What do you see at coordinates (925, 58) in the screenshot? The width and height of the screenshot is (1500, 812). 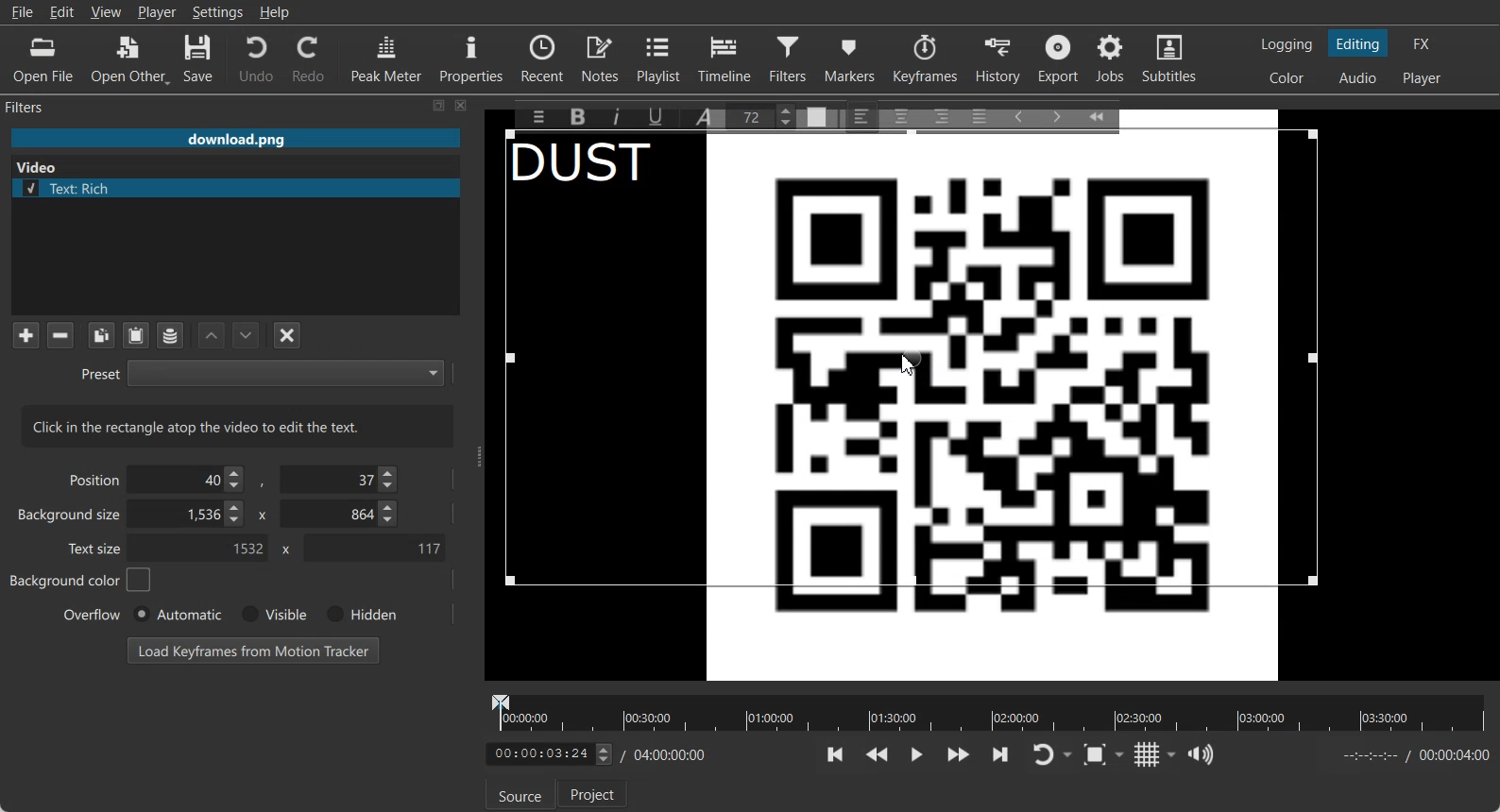 I see `Keyframes` at bounding box center [925, 58].